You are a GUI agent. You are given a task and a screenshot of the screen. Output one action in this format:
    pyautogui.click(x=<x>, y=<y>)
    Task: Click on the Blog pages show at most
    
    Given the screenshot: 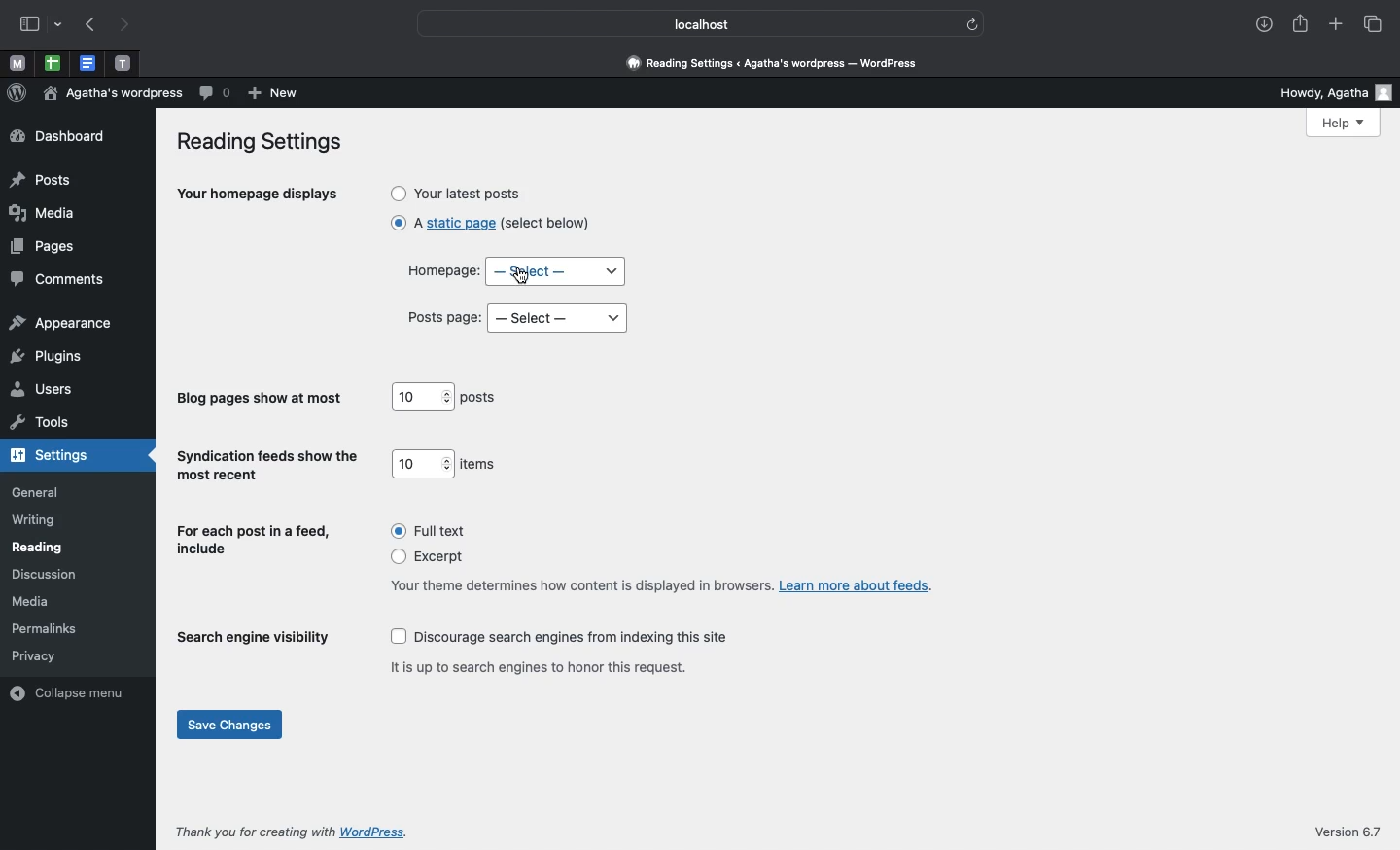 What is the action you would take?
    pyautogui.click(x=262, y=399)
    